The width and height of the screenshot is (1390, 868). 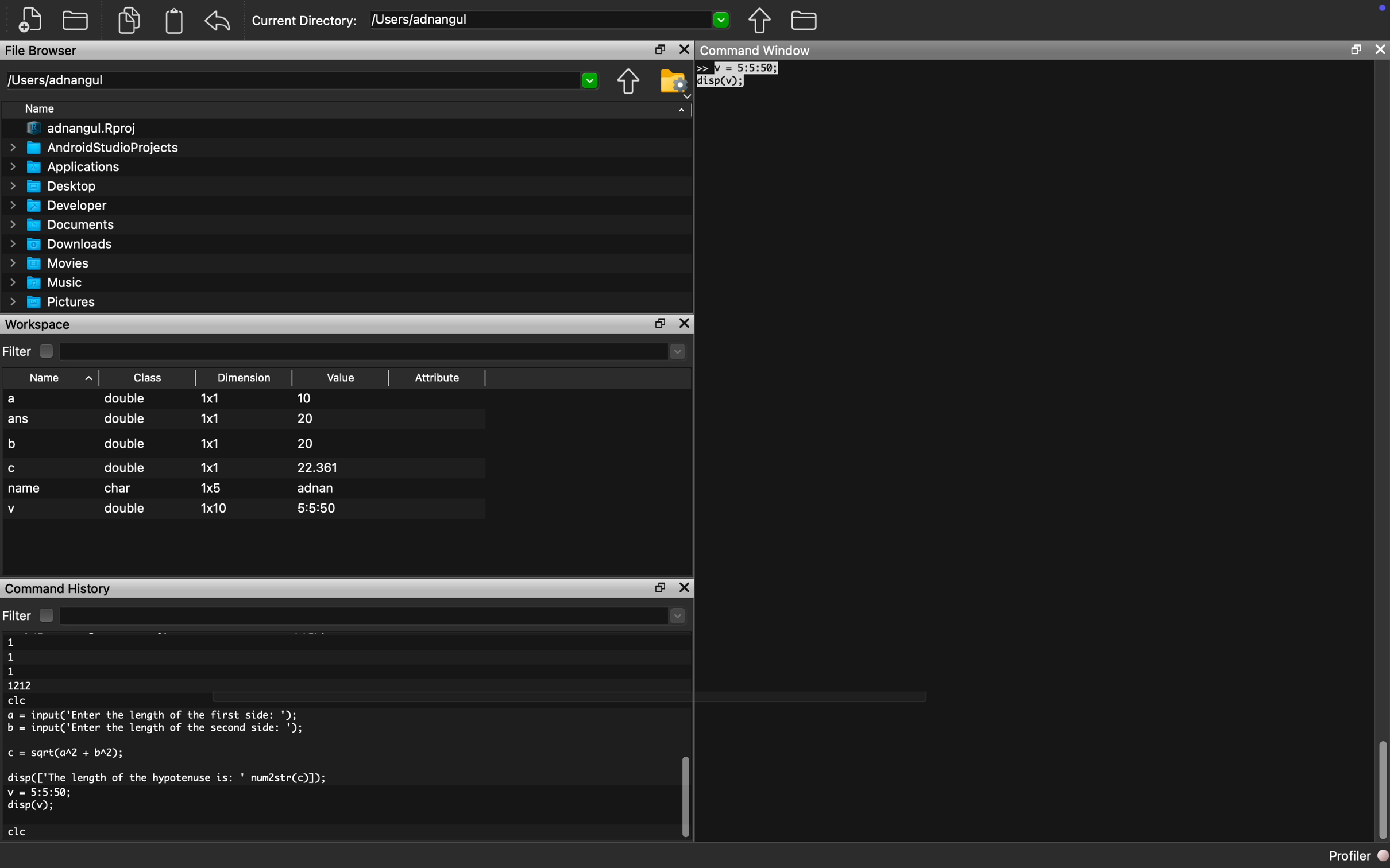 What do you see at coordinates (308, 398) in the screenshot?
I see `10` at bounding box center [308, 398].